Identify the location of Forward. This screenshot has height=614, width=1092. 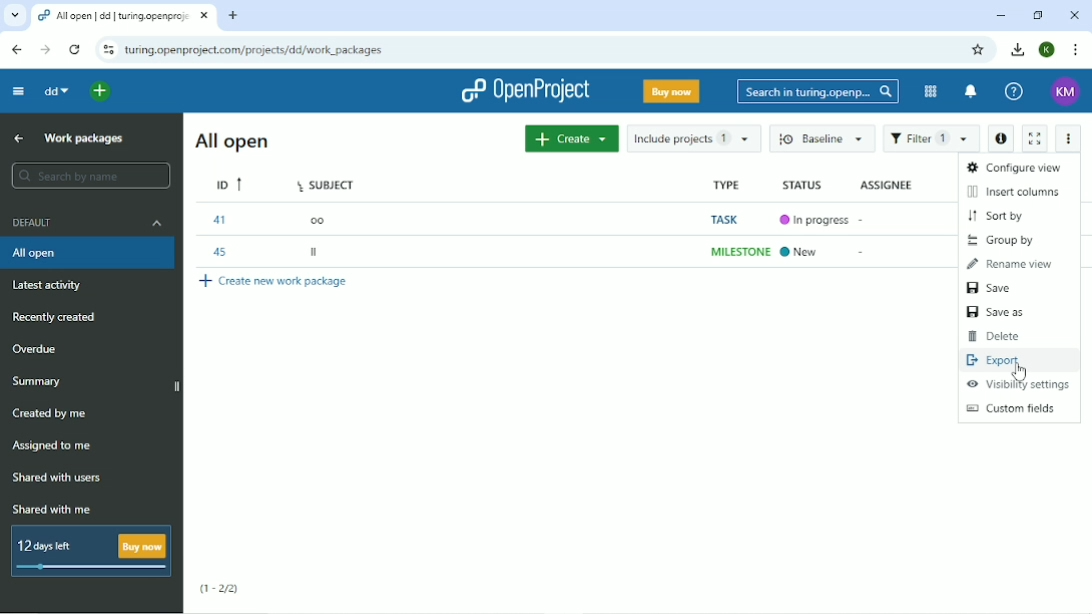
(42, 49).